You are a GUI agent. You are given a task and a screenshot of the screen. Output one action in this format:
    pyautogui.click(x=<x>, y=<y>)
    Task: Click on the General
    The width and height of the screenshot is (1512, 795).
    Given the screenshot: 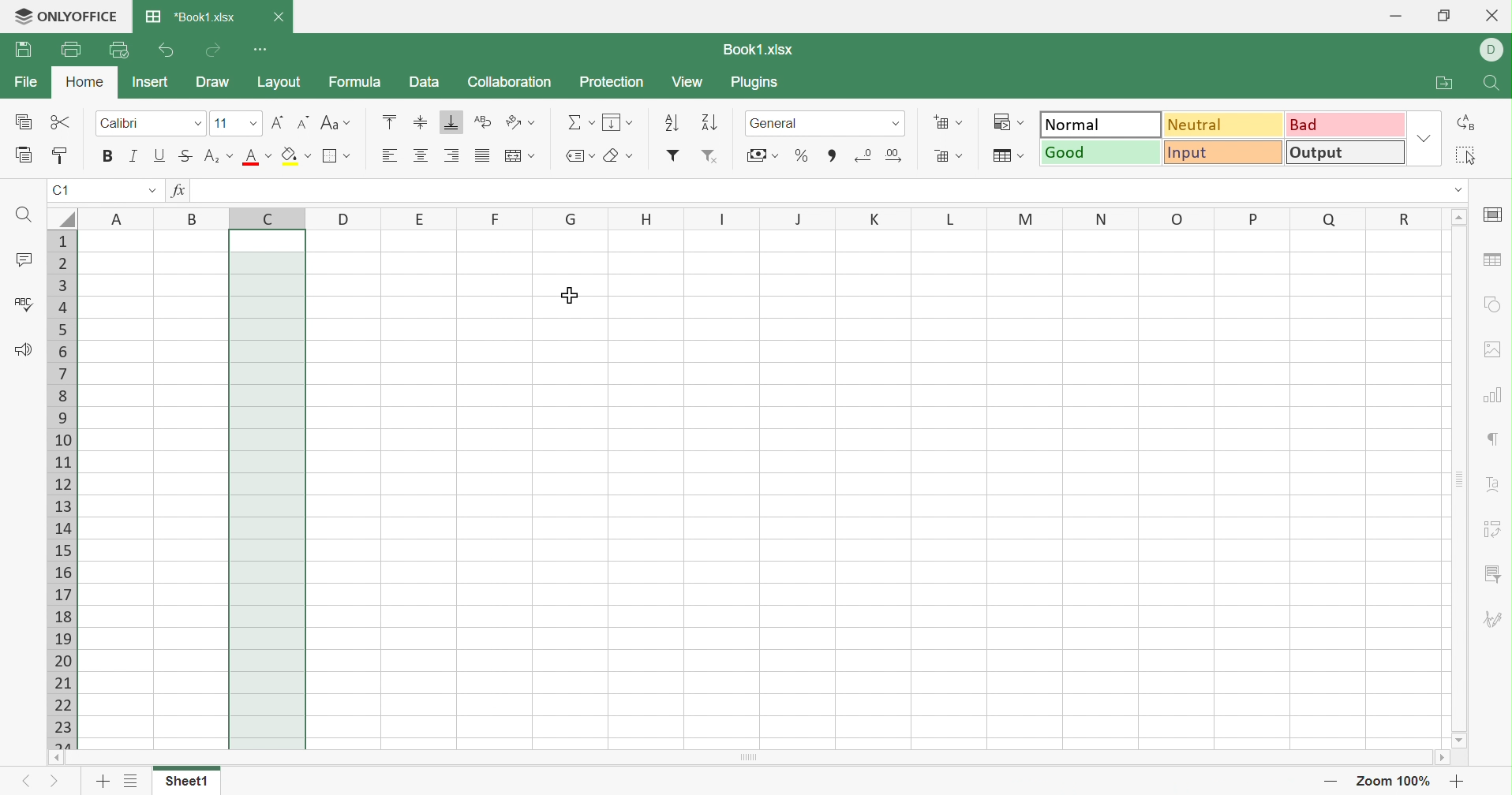 What is the action you would take?
    pyautogui.click(x=781, y=125)
    